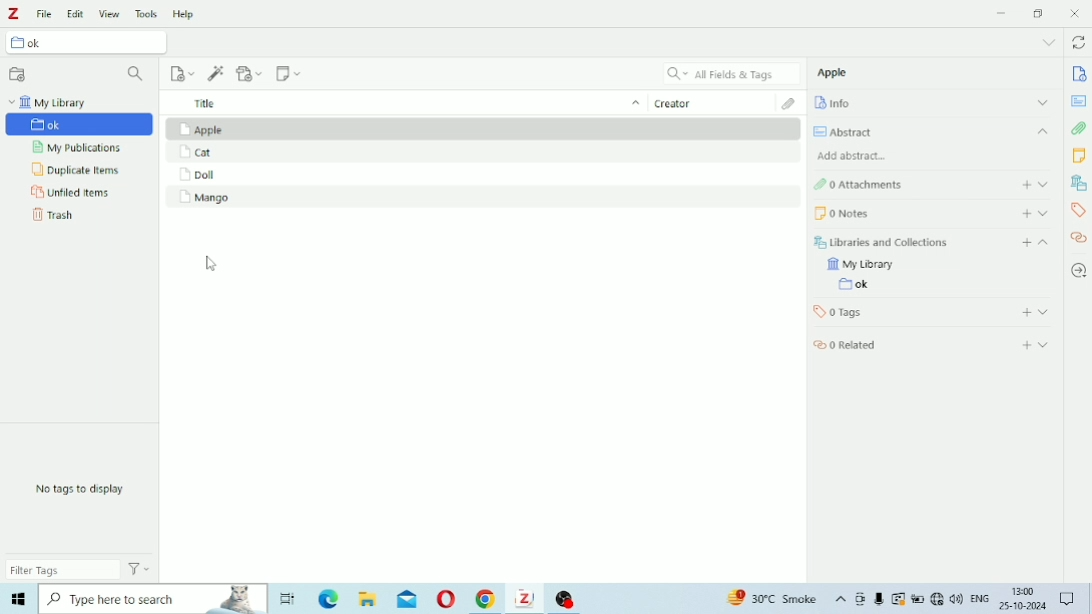 This screenshot has width=1092, height=614. Describe the element at coordinates (1027, 213) in the screenshot. I see `Add` at that location.